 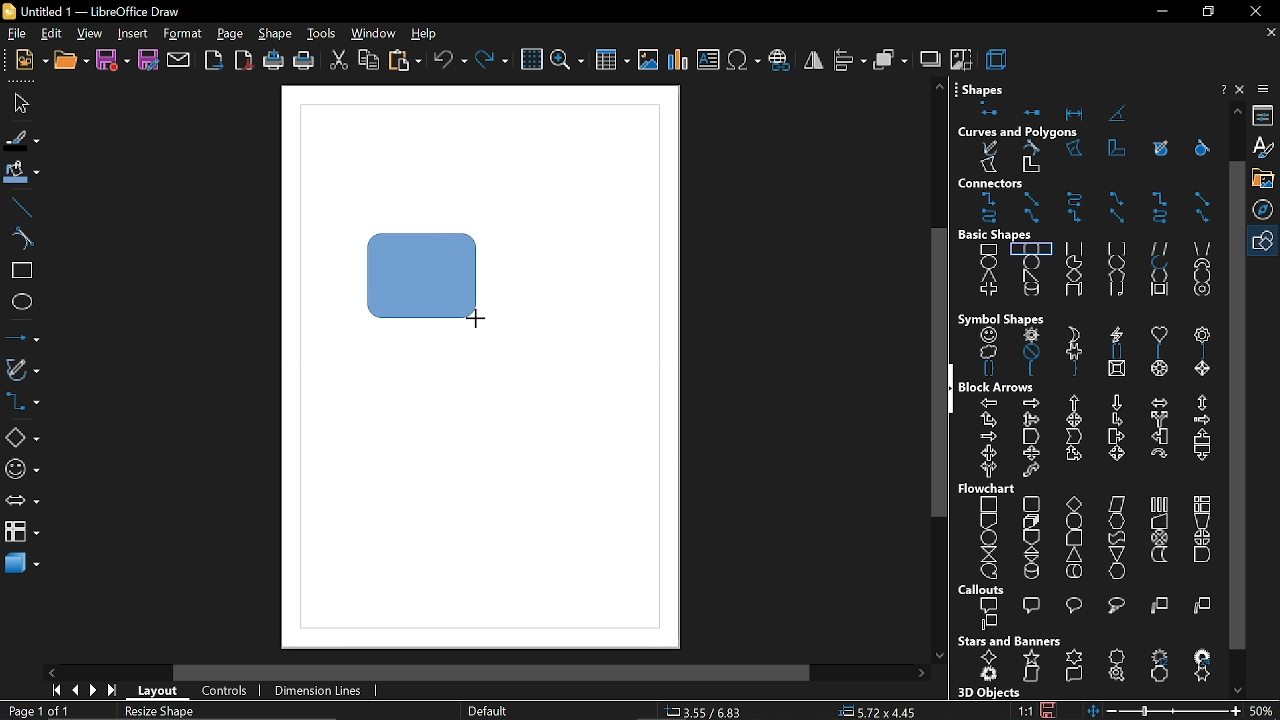 I want to click on fill color, so click(x=23, y=173).